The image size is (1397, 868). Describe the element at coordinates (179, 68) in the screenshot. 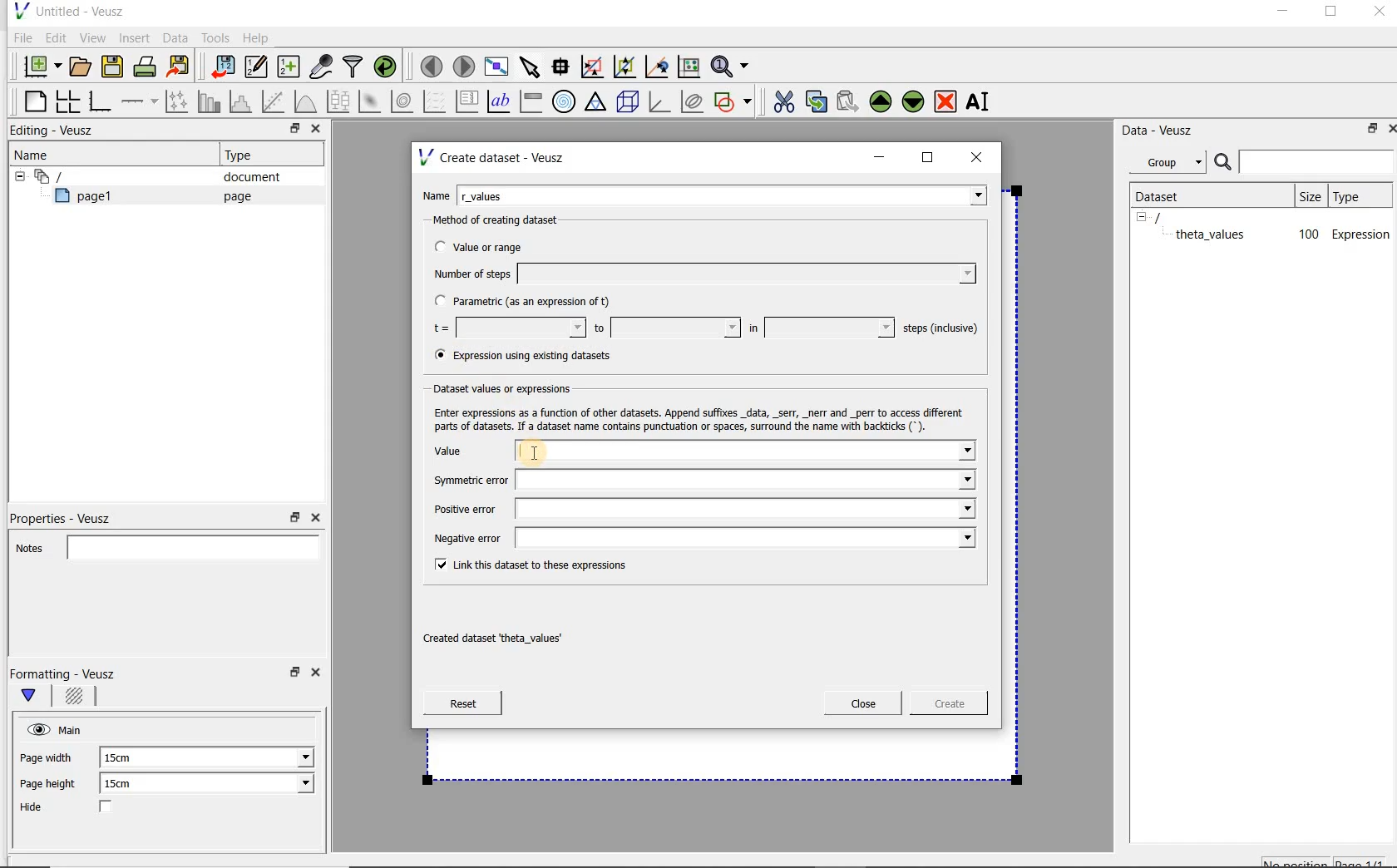

I see `Export to graphics format` at that location.